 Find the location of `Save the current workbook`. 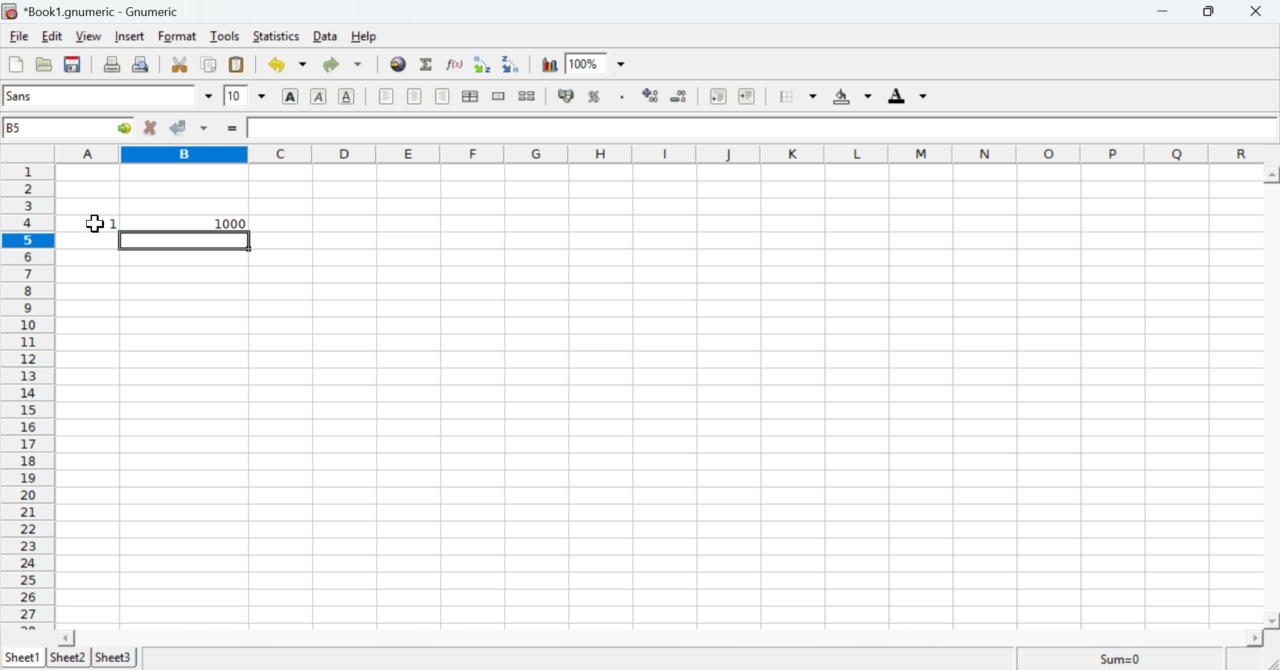

Save the current workbook is located at coordinates (74, 64).